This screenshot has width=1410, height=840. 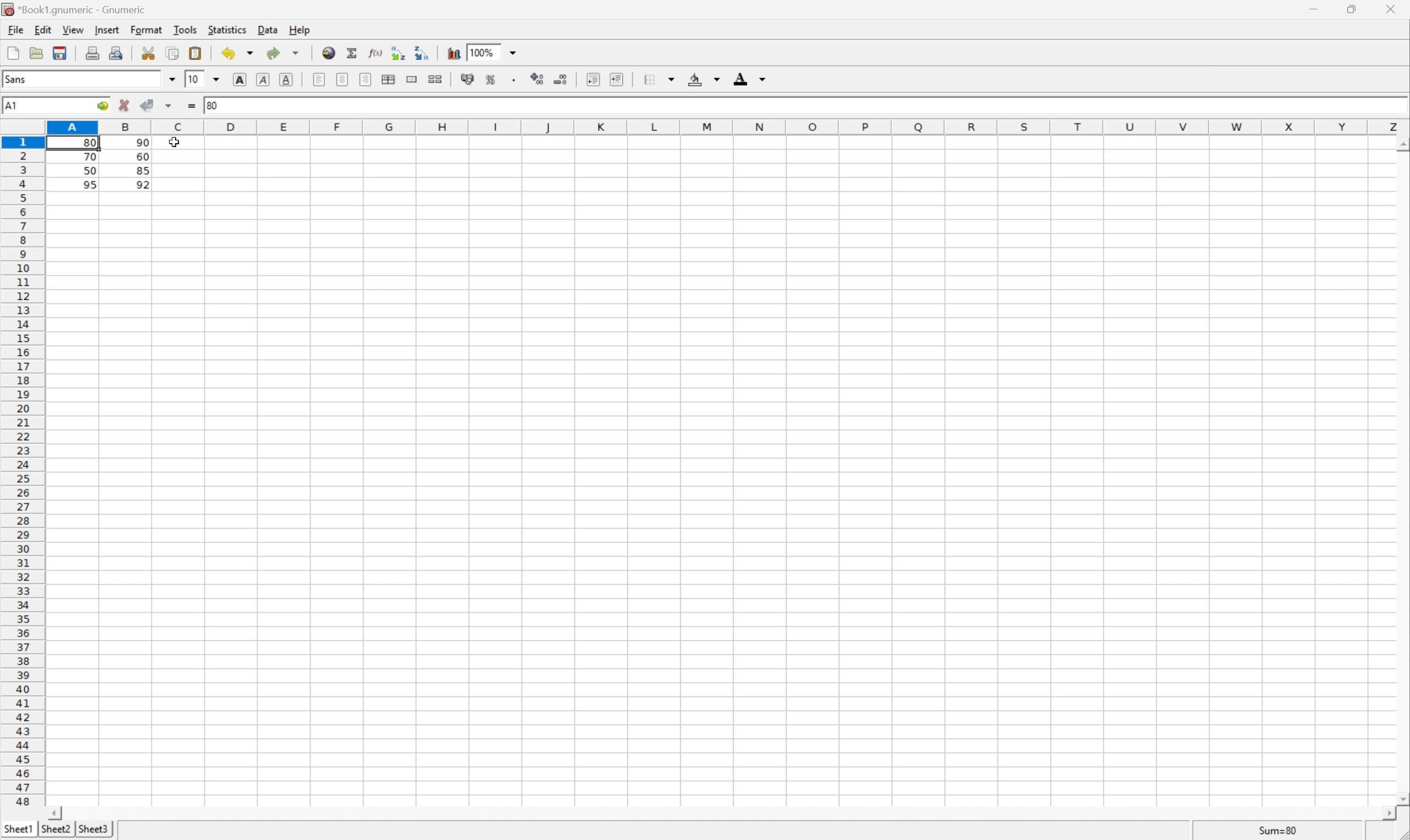 I want to click on Drop Down, so click(x=248, y=54).